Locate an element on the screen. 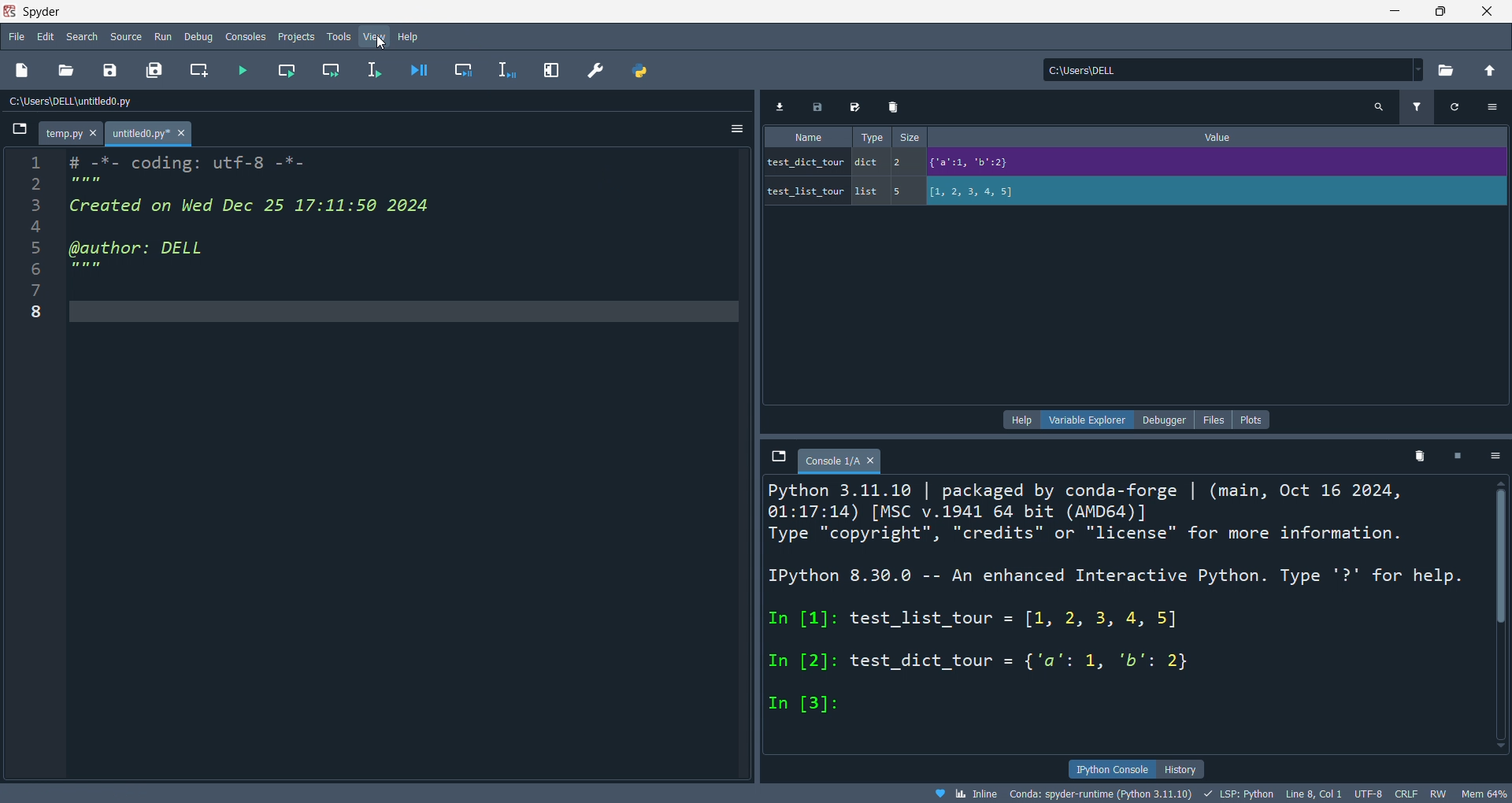 This screenshot has width=1512, height=803. search is located at coordinates (1379, 108).